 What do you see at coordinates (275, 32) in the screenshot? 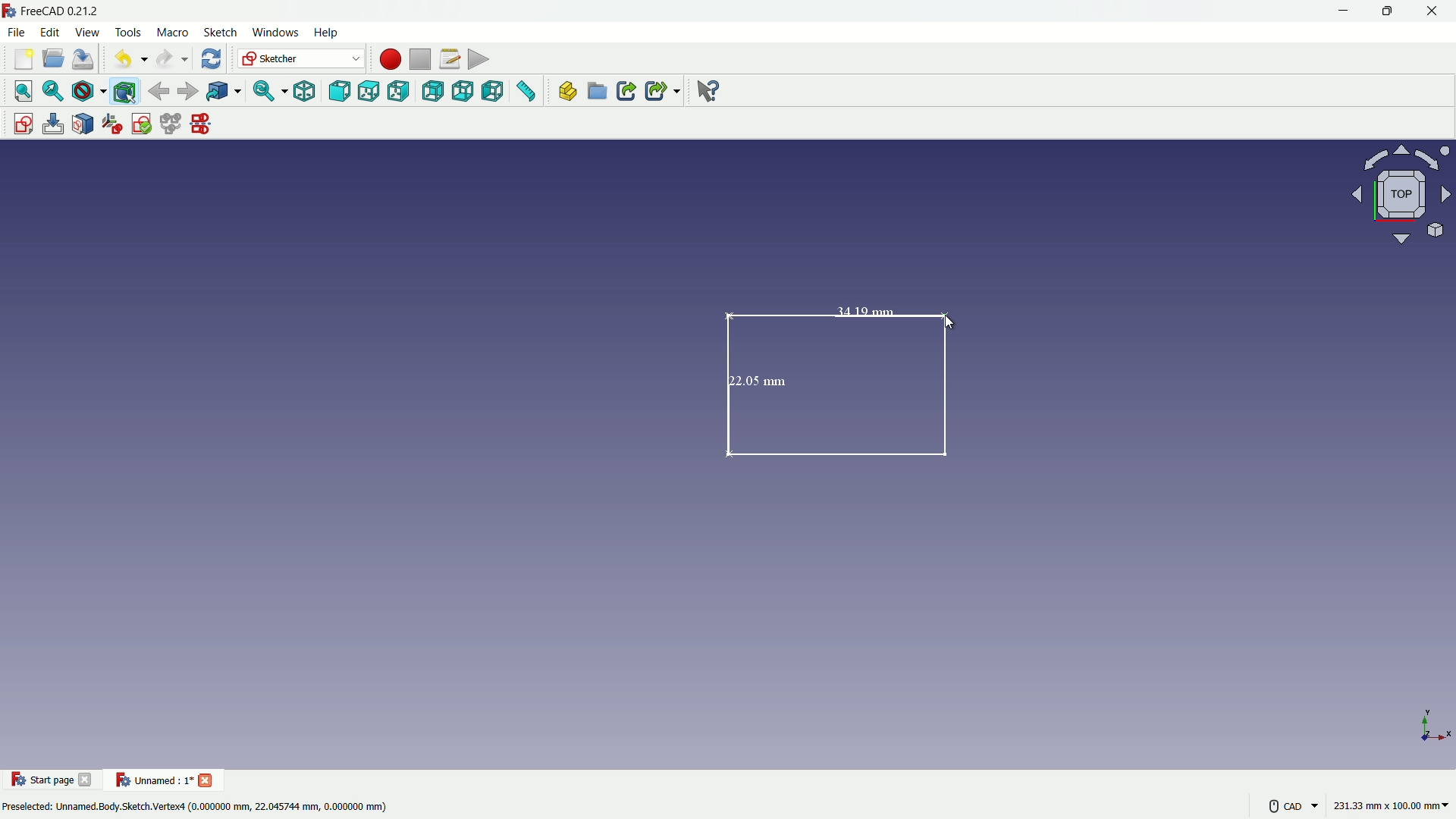
I see `windows menu` at bounding box center [275, 32].